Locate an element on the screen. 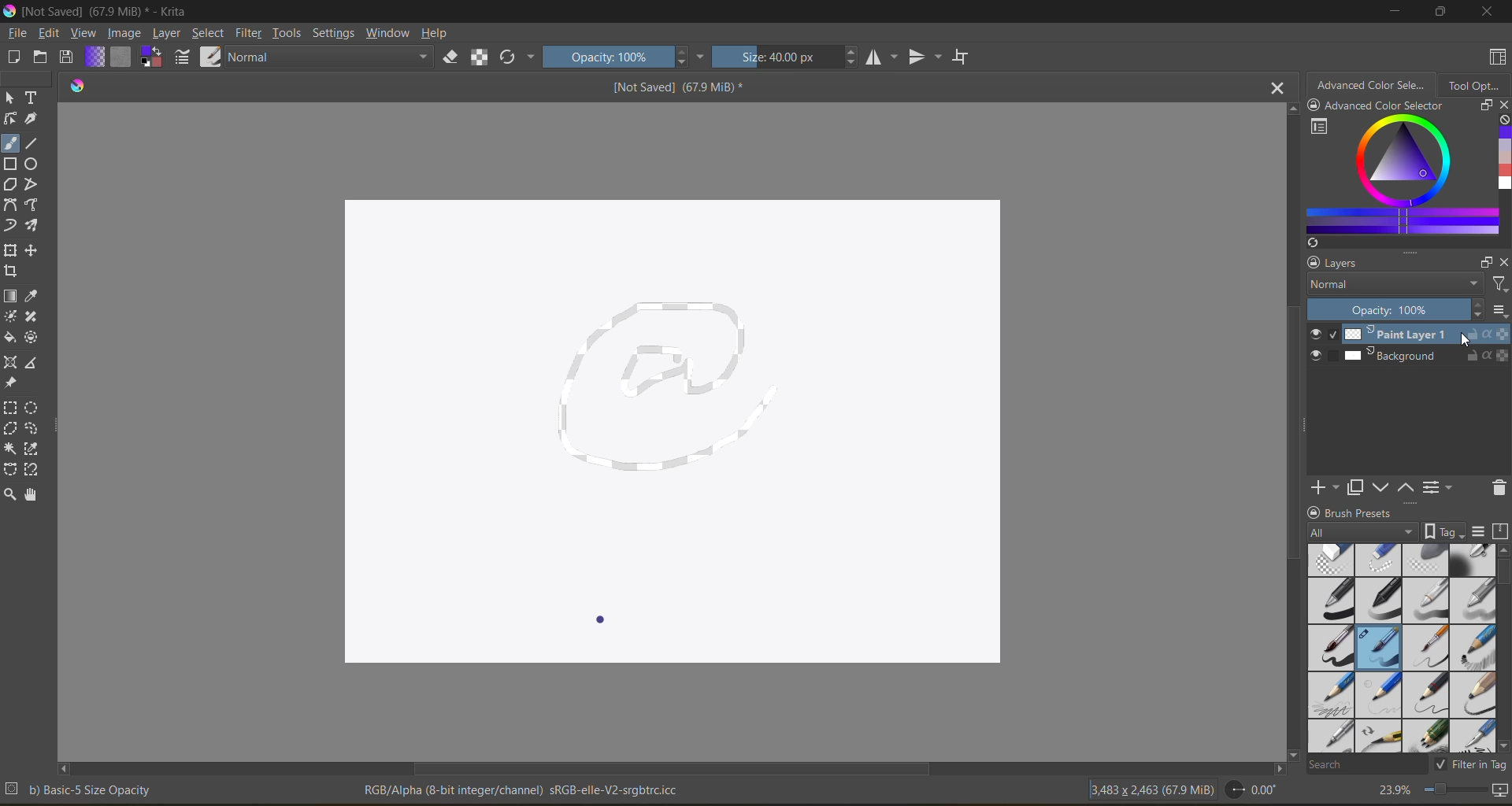 The width and height of the screenshot is (1512, 806). Advanced Color selector is located at coordinates (1386, 106).